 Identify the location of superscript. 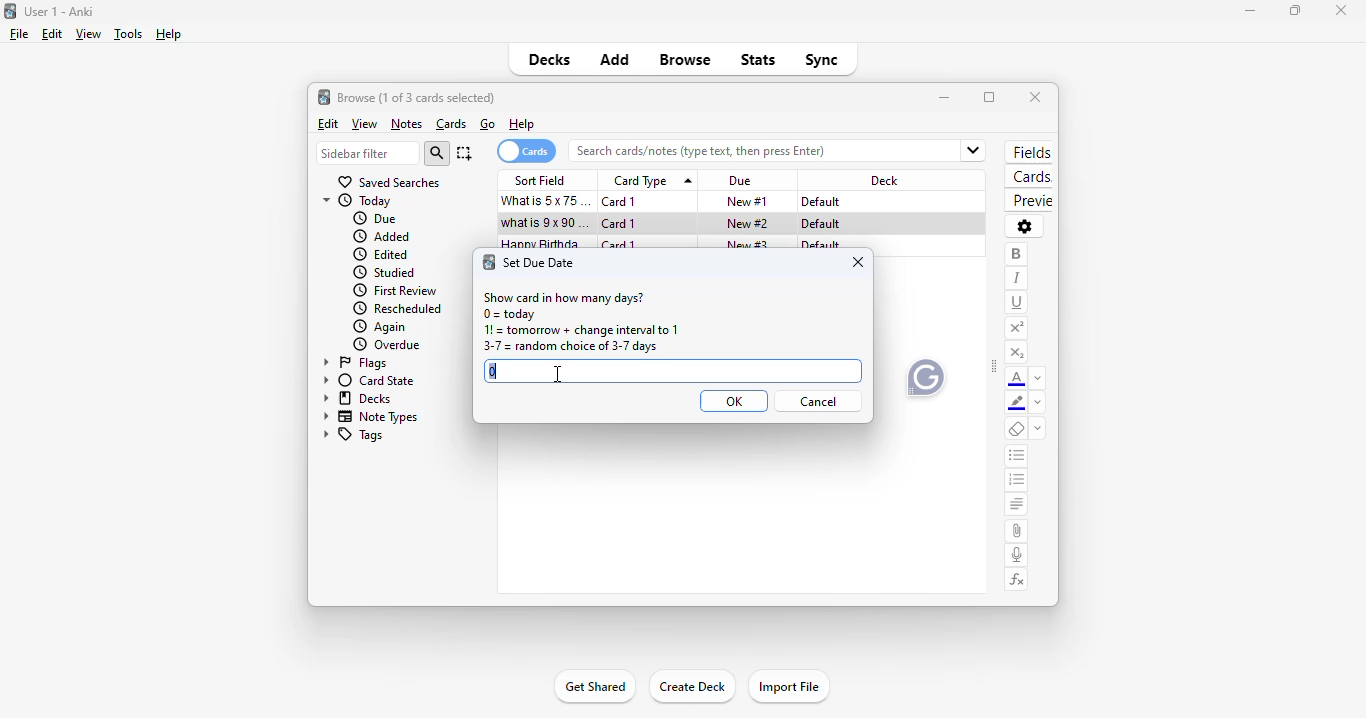
(1017, 328).